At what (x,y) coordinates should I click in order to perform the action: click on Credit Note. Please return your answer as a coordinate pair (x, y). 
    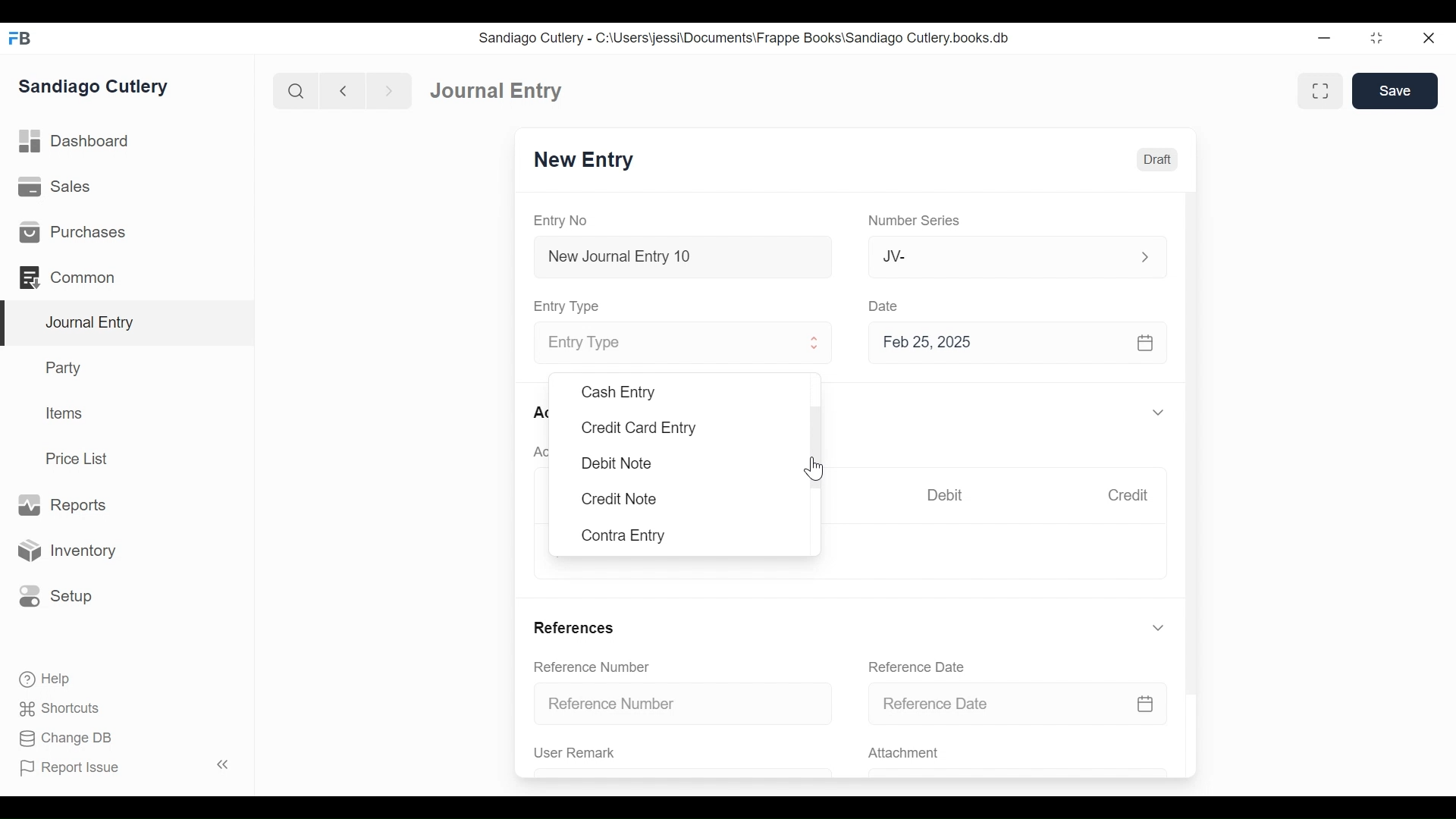
    Looking at the image, I should click on (619, 500).